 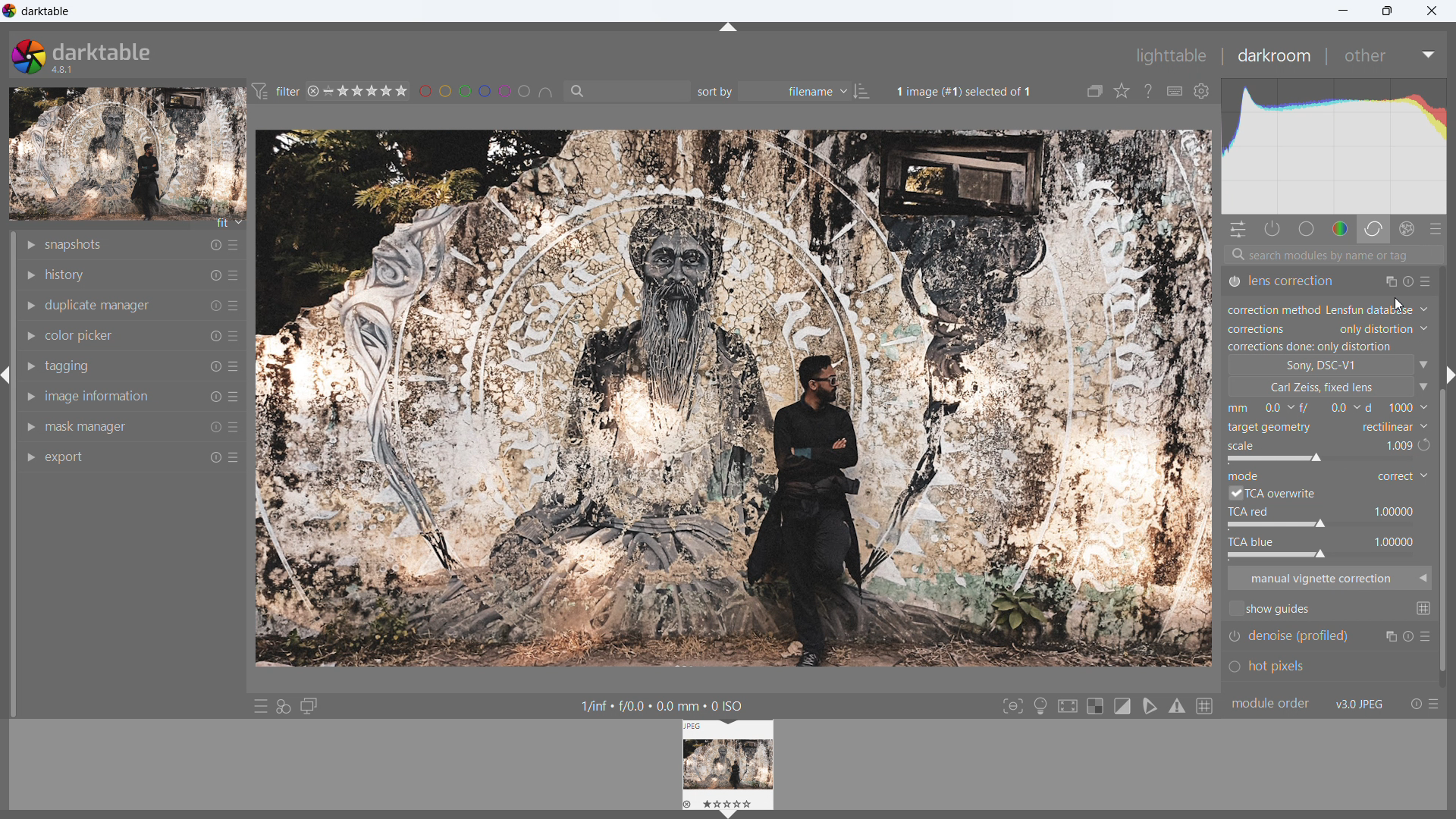 I want to click on duplicate manager, so click(x=100, y=306).